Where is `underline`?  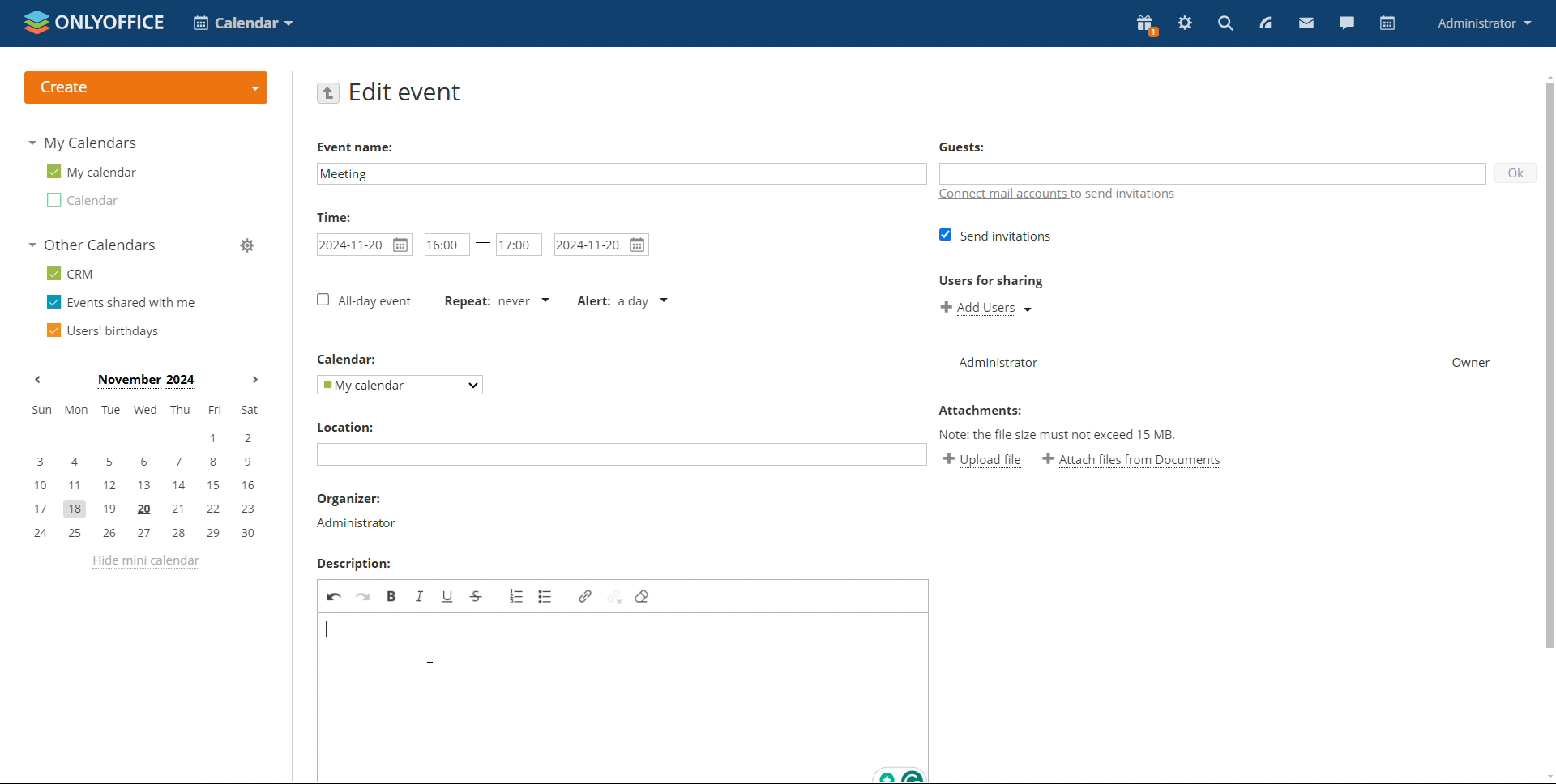
underline is located at coordinates (448, 596).